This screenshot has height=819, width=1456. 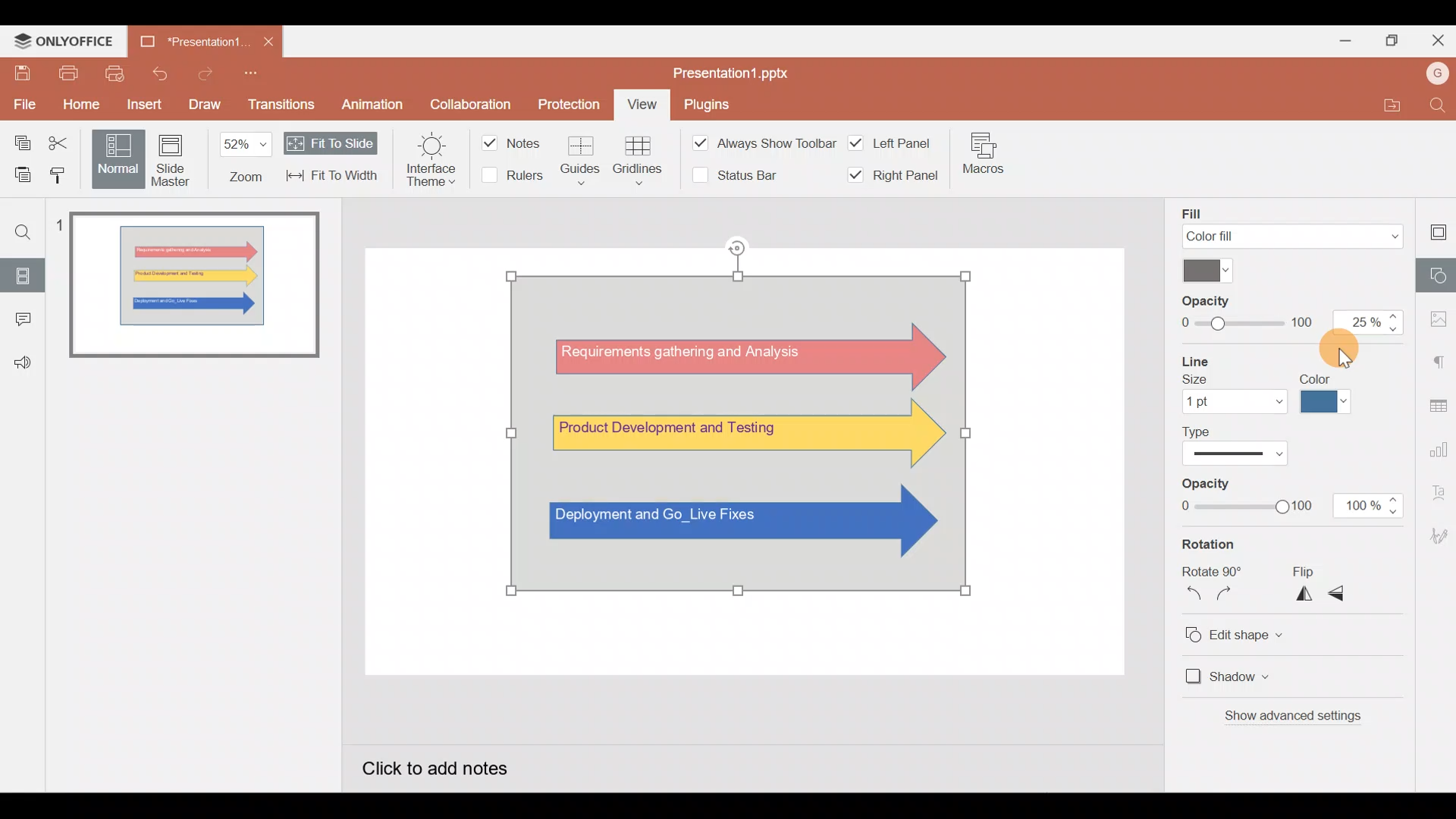 What do you see at coordinates (18, 174) in the screenshot?
I see `Paste` at bounding box center [18, 174].